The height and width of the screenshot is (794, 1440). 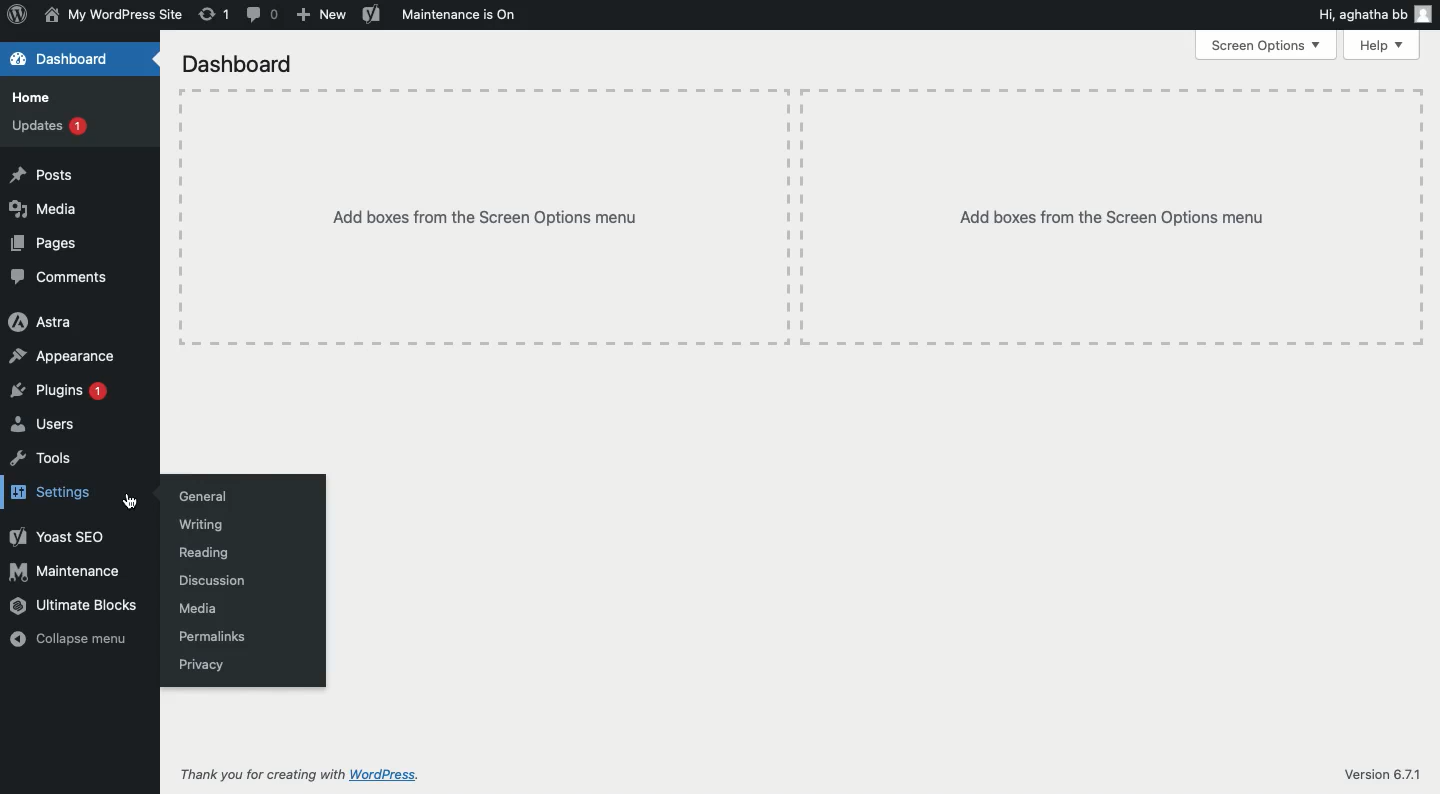 What do you see at coordinates (215, 14) in the screenshot?
I see `Revision` at bounding box center [215, 14].